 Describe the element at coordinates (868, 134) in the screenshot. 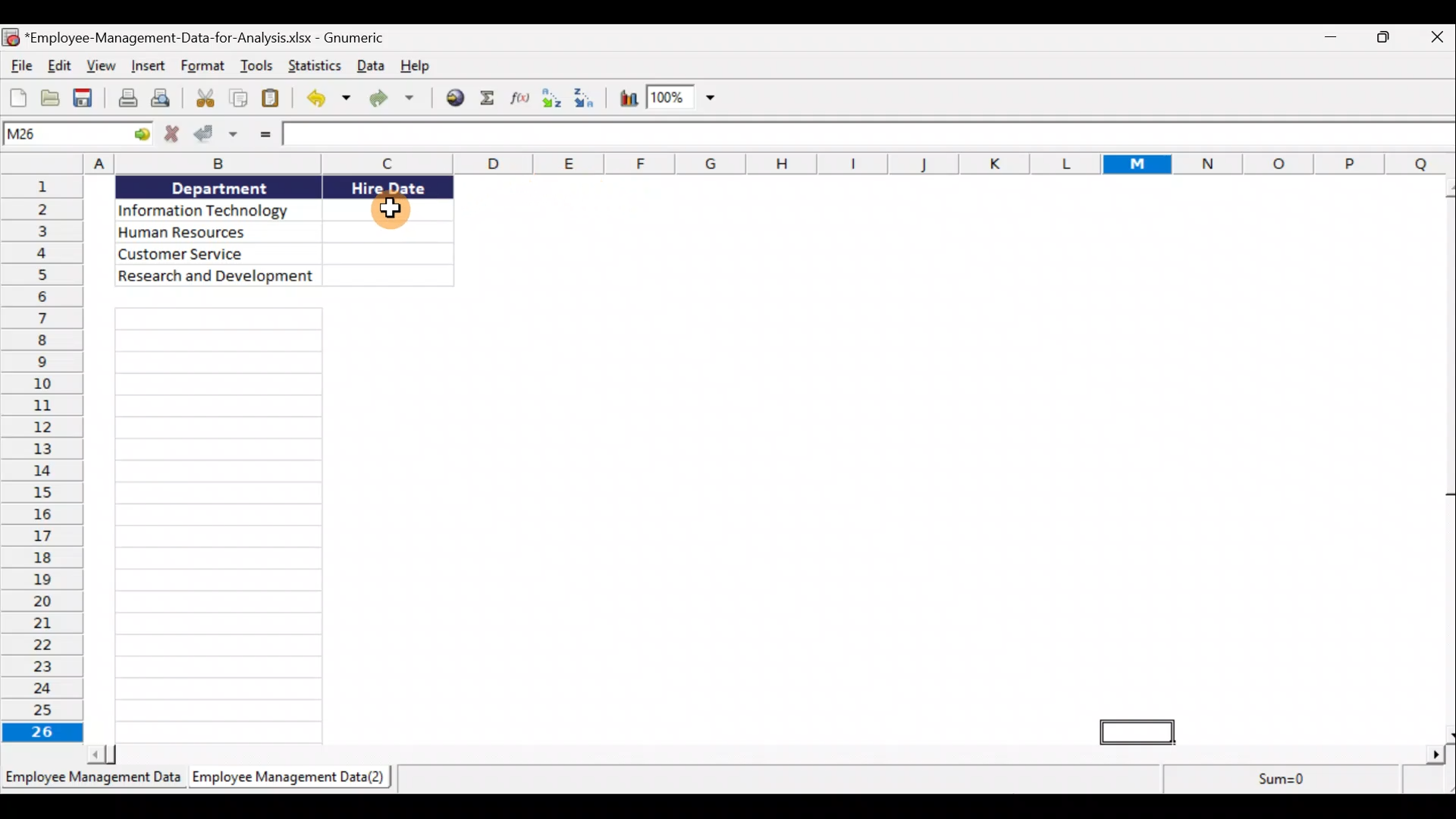

I see `Formula bar` at that location.